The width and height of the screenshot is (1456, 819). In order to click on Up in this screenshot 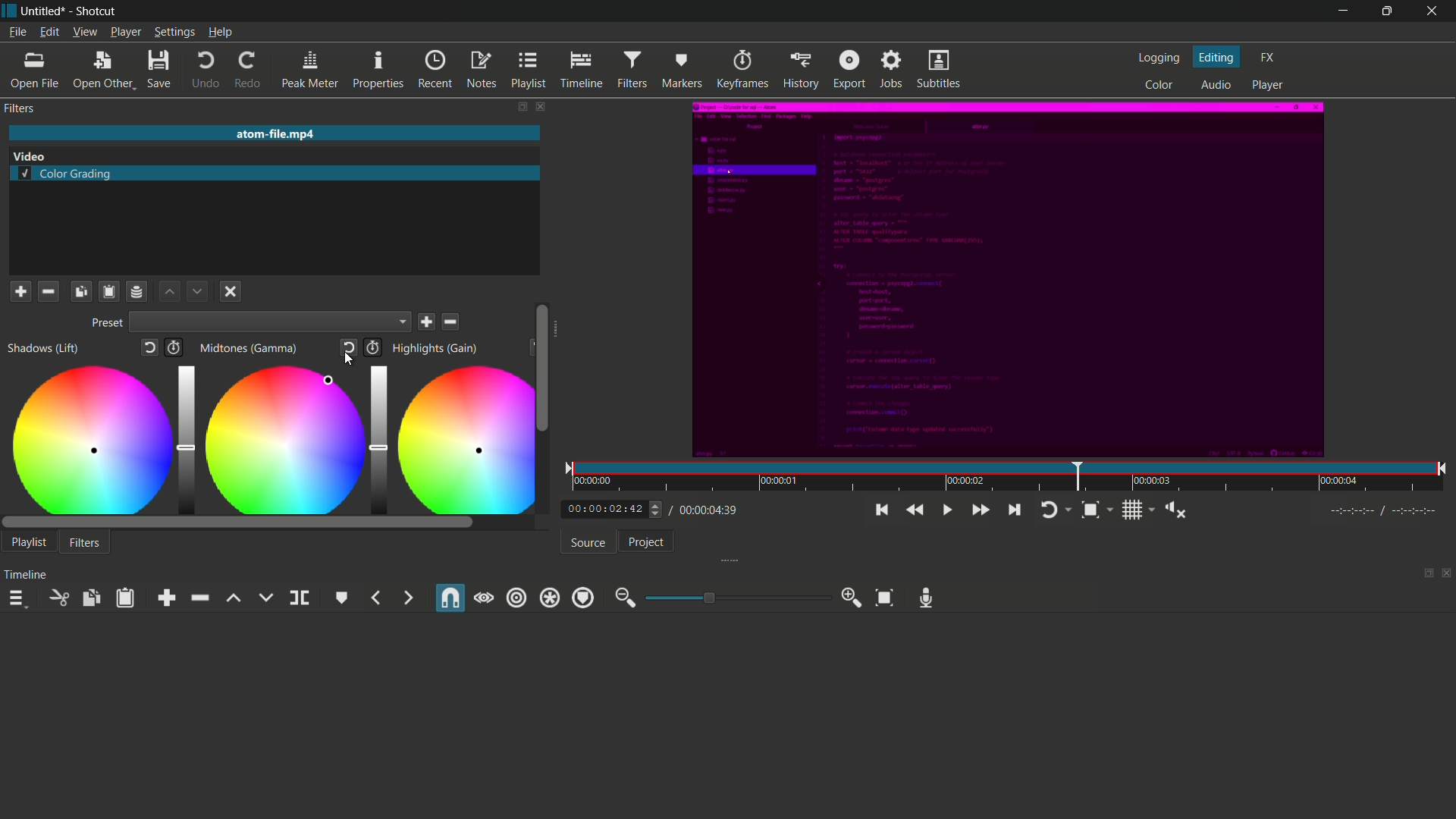, I will do `click(171, 292)`.